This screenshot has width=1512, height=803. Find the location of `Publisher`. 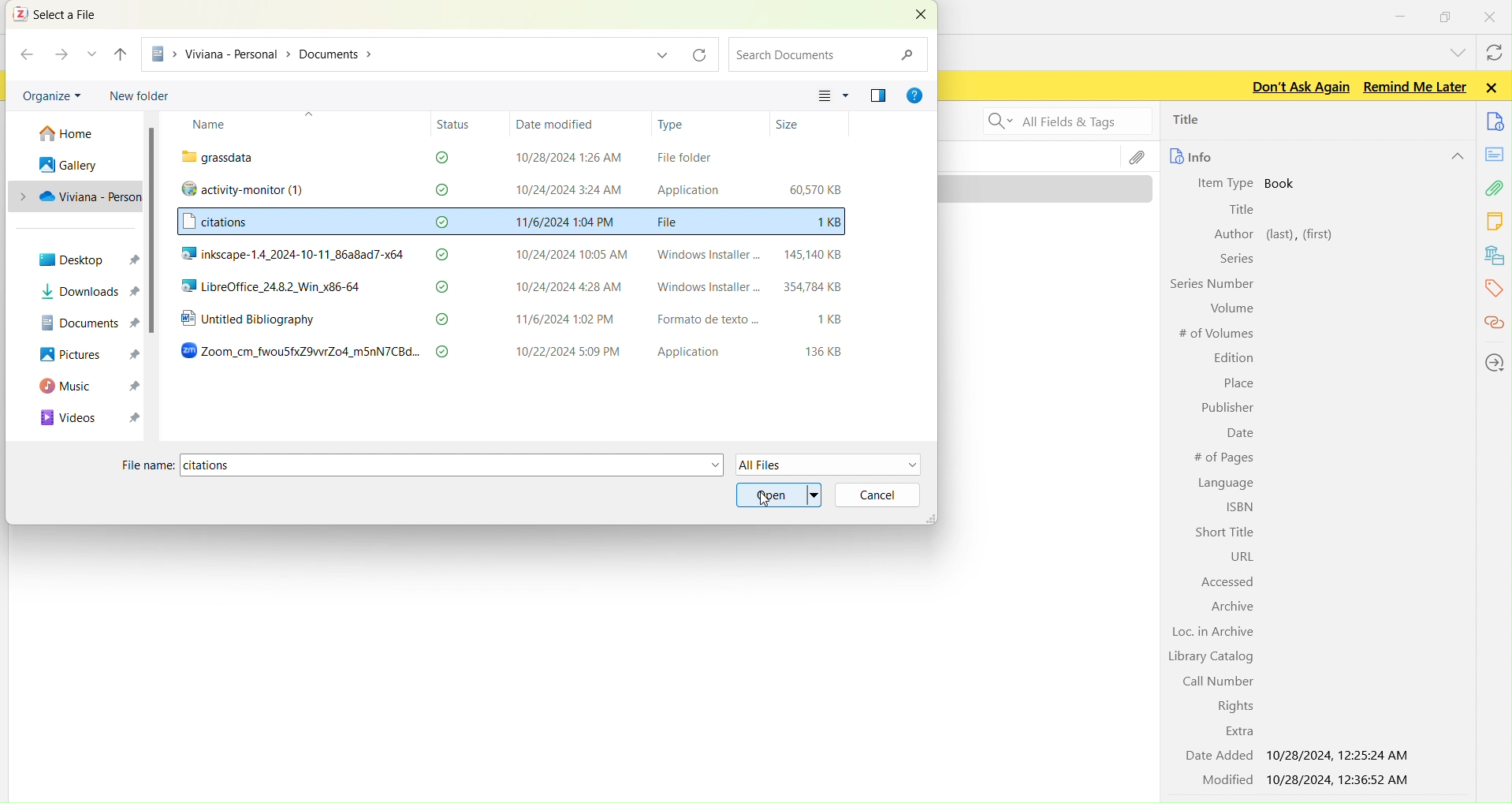

Publisher is located at coordinates (1225, 407).